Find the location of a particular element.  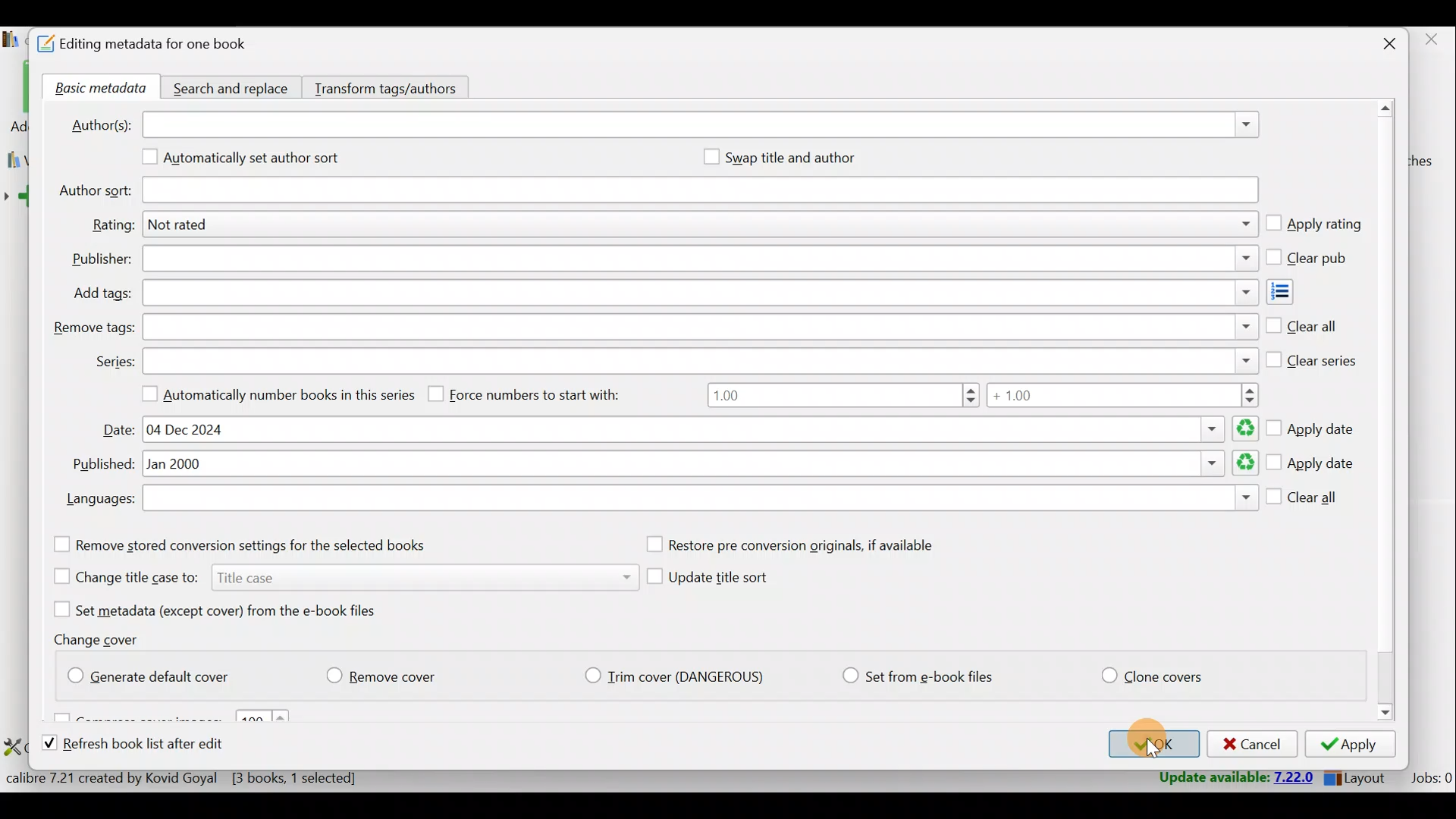

Remove tags is located at coordinates (698, 327).